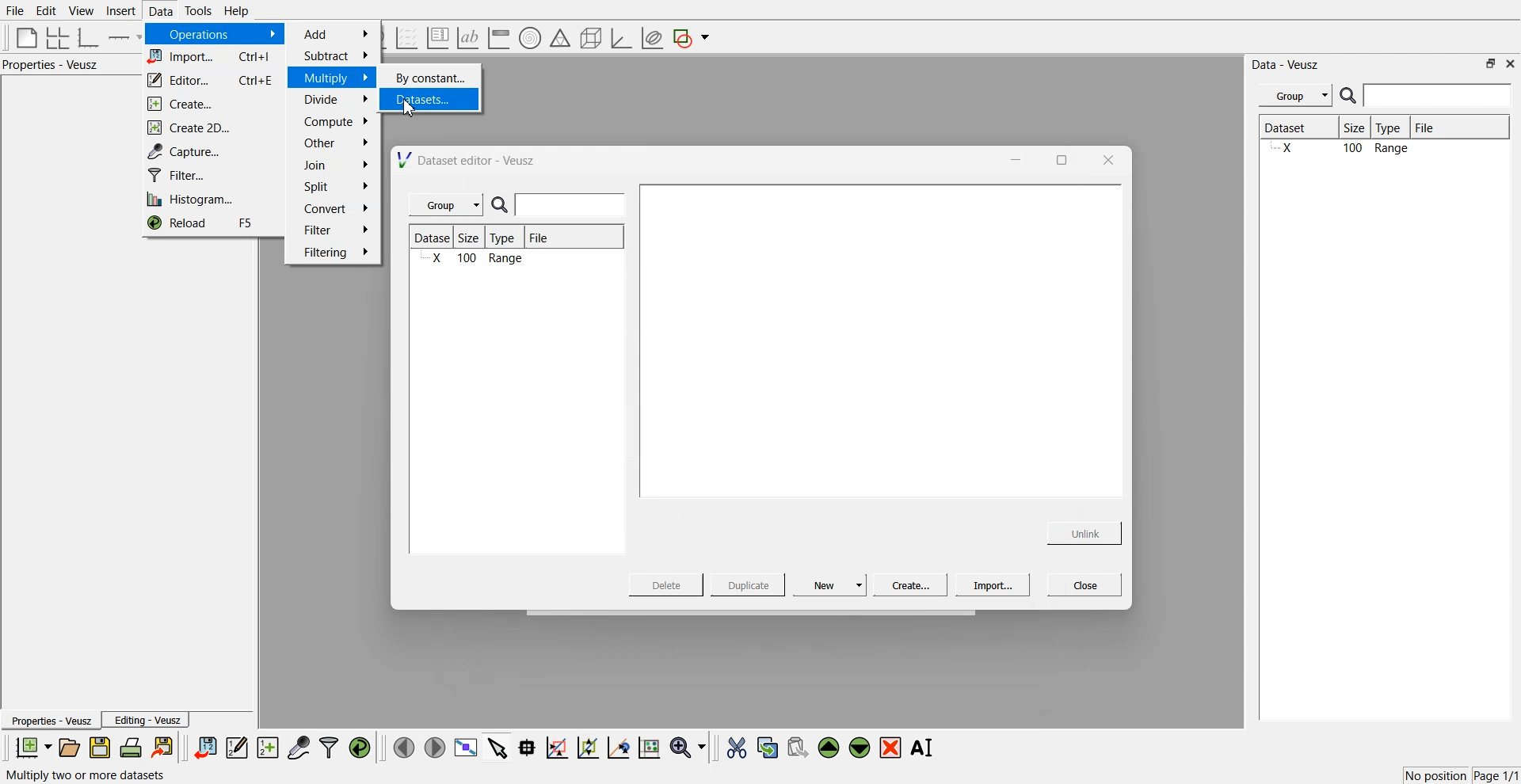  What do you see at coordinates (433, 78) in the screenshot?
I see `By constant...` at bounding box center [433, 78].